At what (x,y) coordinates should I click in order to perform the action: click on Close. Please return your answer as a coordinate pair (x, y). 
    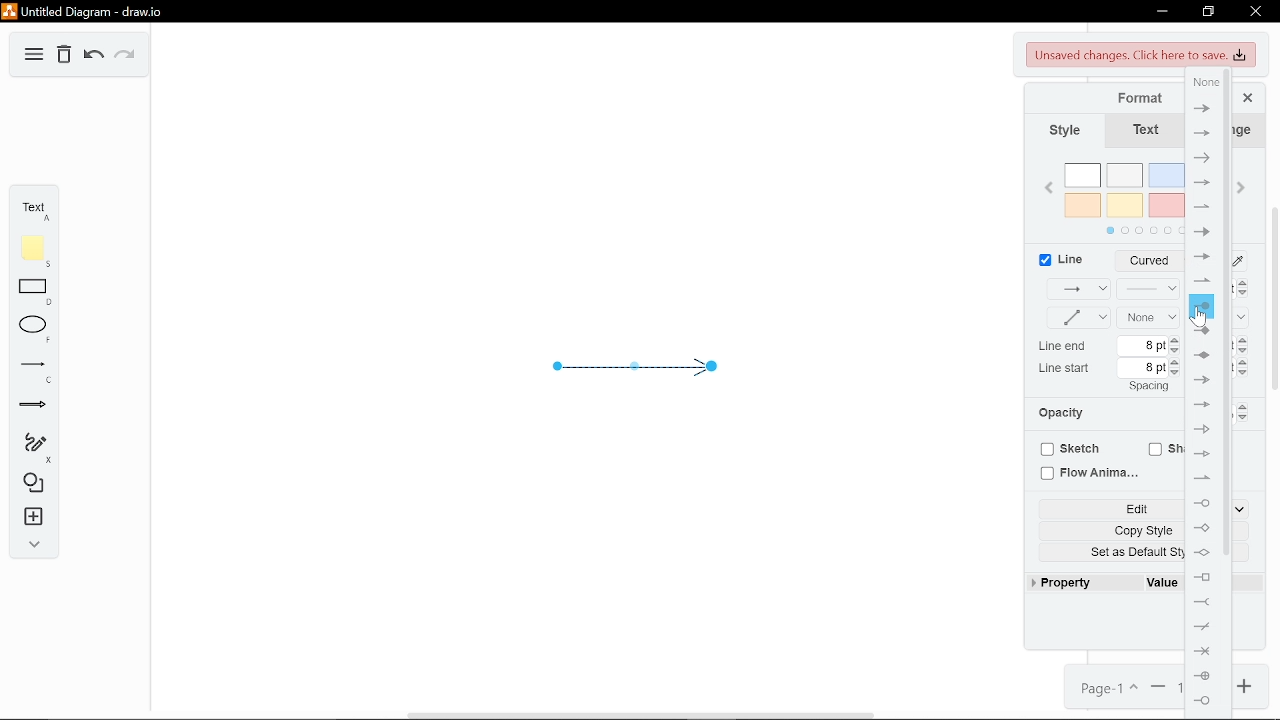
    Looking at the image, I should click on (1256, 13).